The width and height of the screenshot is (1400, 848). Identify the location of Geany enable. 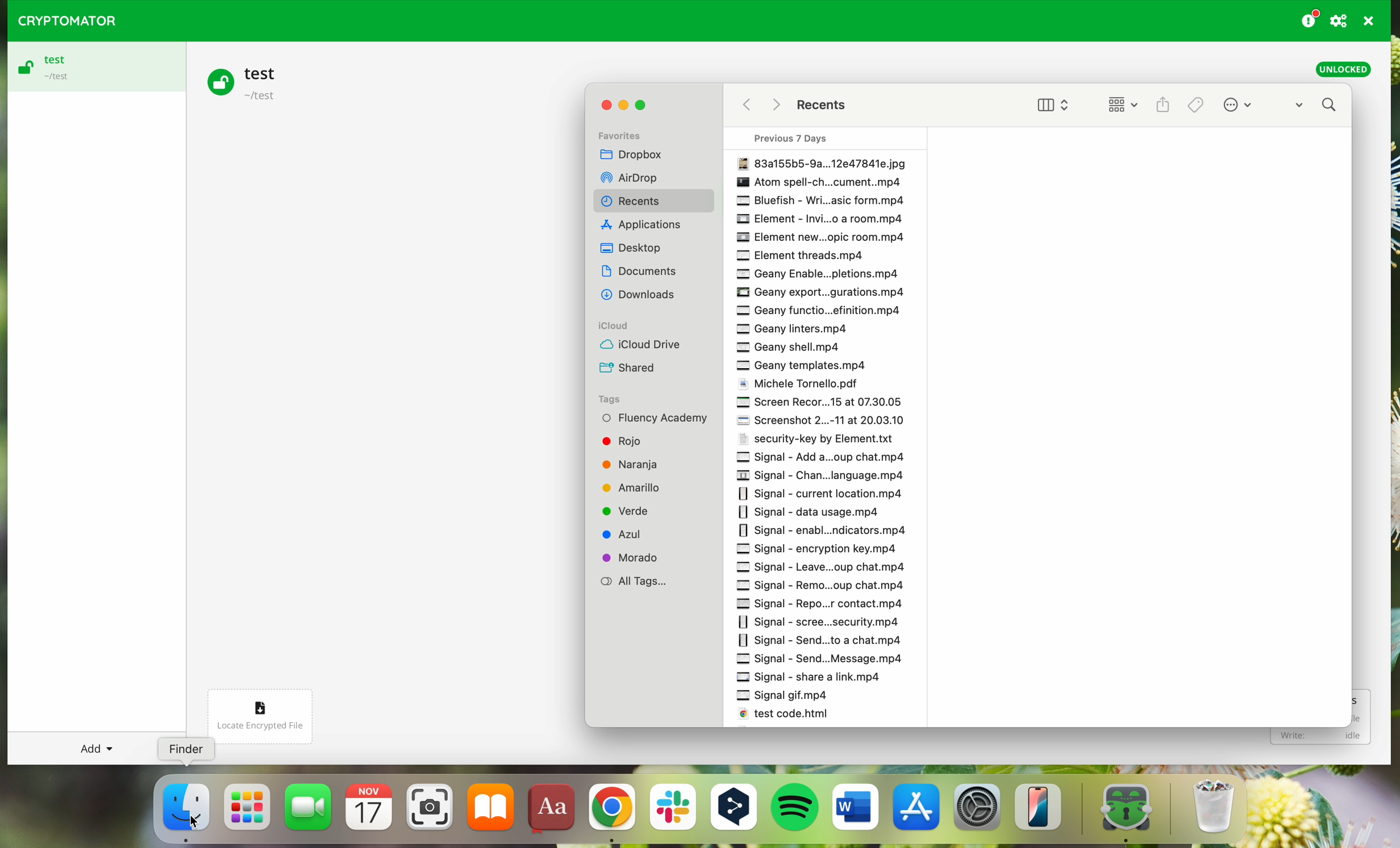
(815, 273).